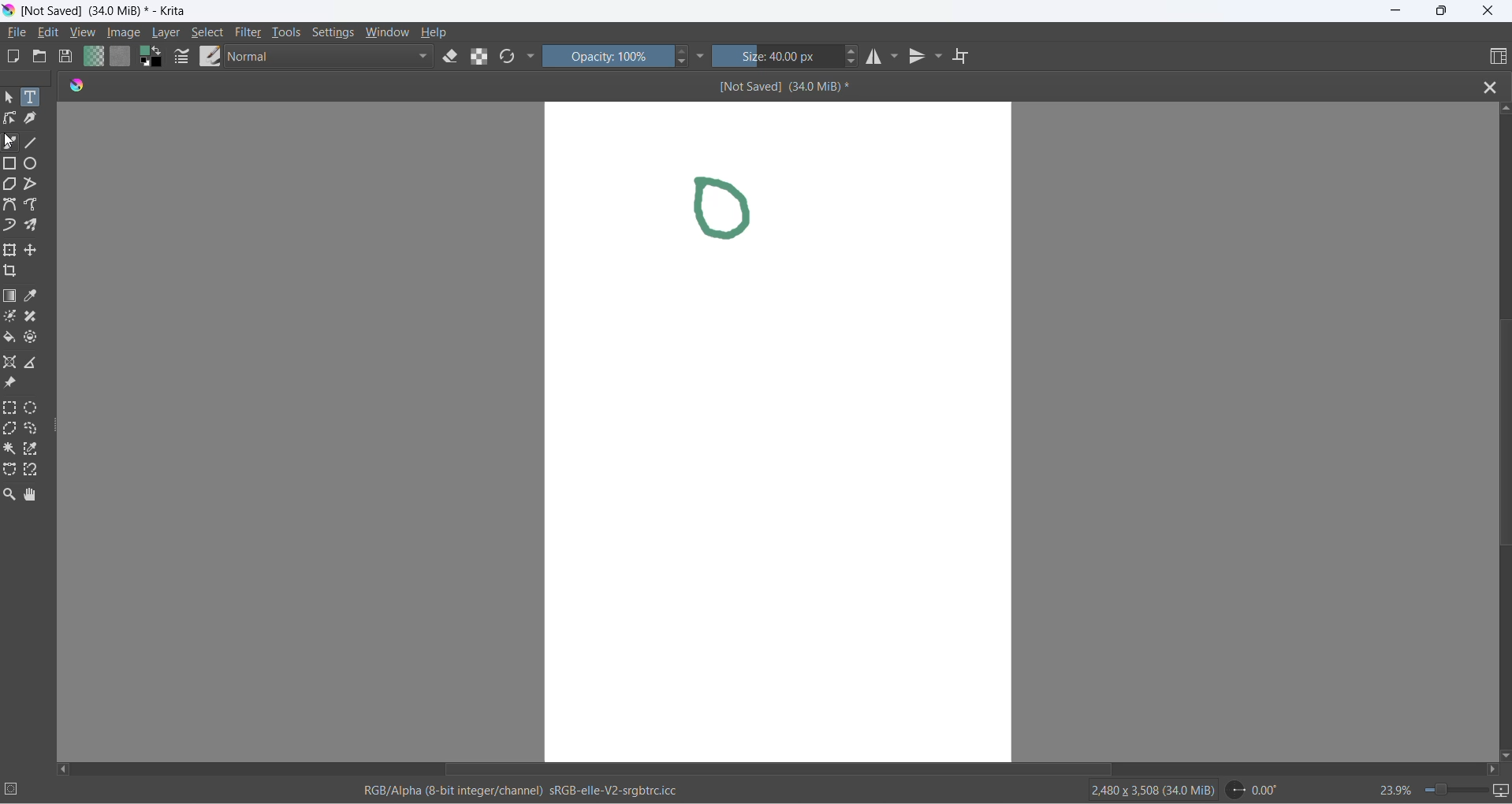 The width and height of the screenshot is (1512, 804). Describe the element at coordinates (383, 33) in the screenshot. I see `window` at that location.